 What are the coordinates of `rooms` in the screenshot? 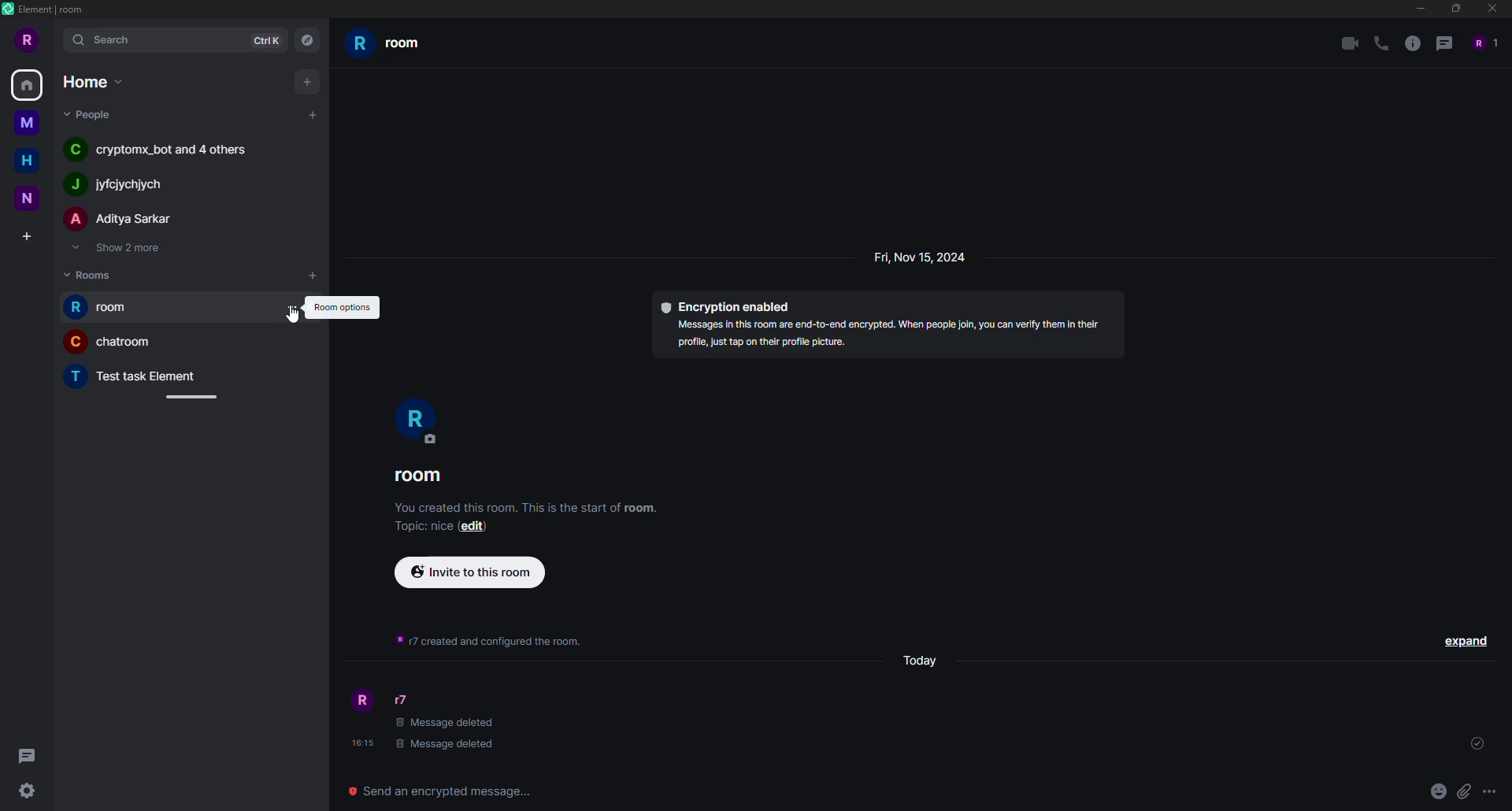 It's located at (93, 275).